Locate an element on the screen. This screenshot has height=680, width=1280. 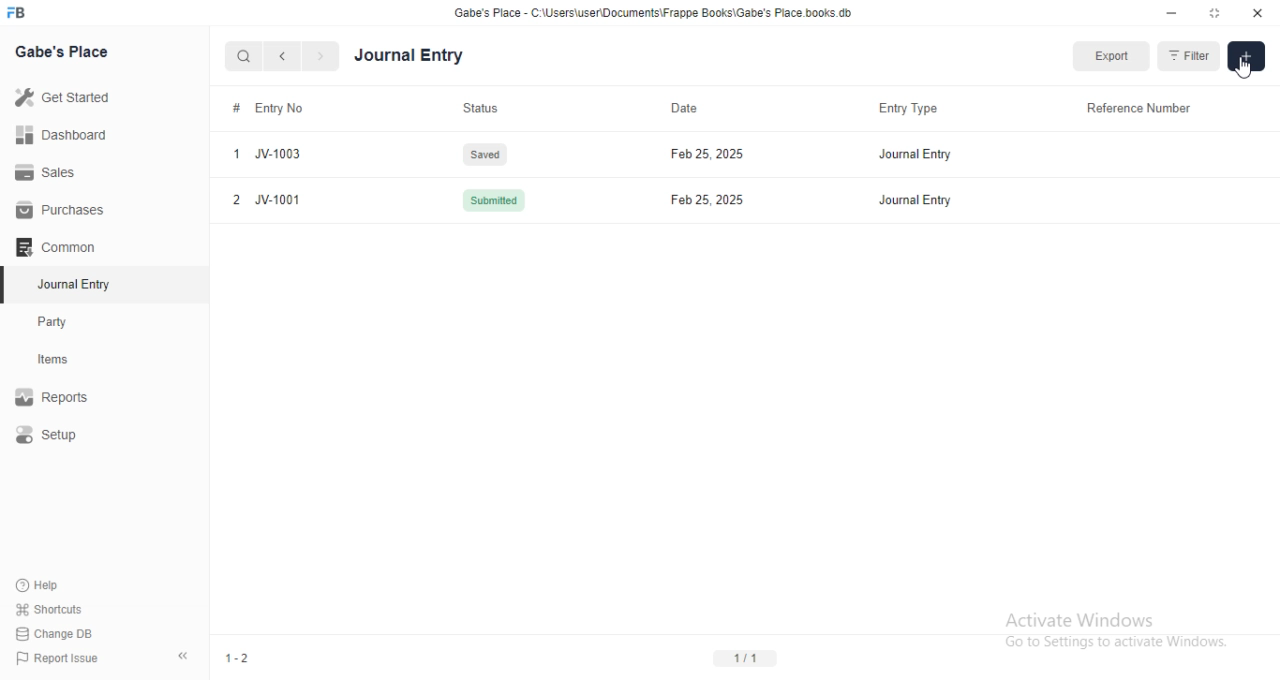
‘Gabe's Place - C Wsers\userDocuments\Frappe Books\Gabe's Place books db is located at coordinates (659, 11).